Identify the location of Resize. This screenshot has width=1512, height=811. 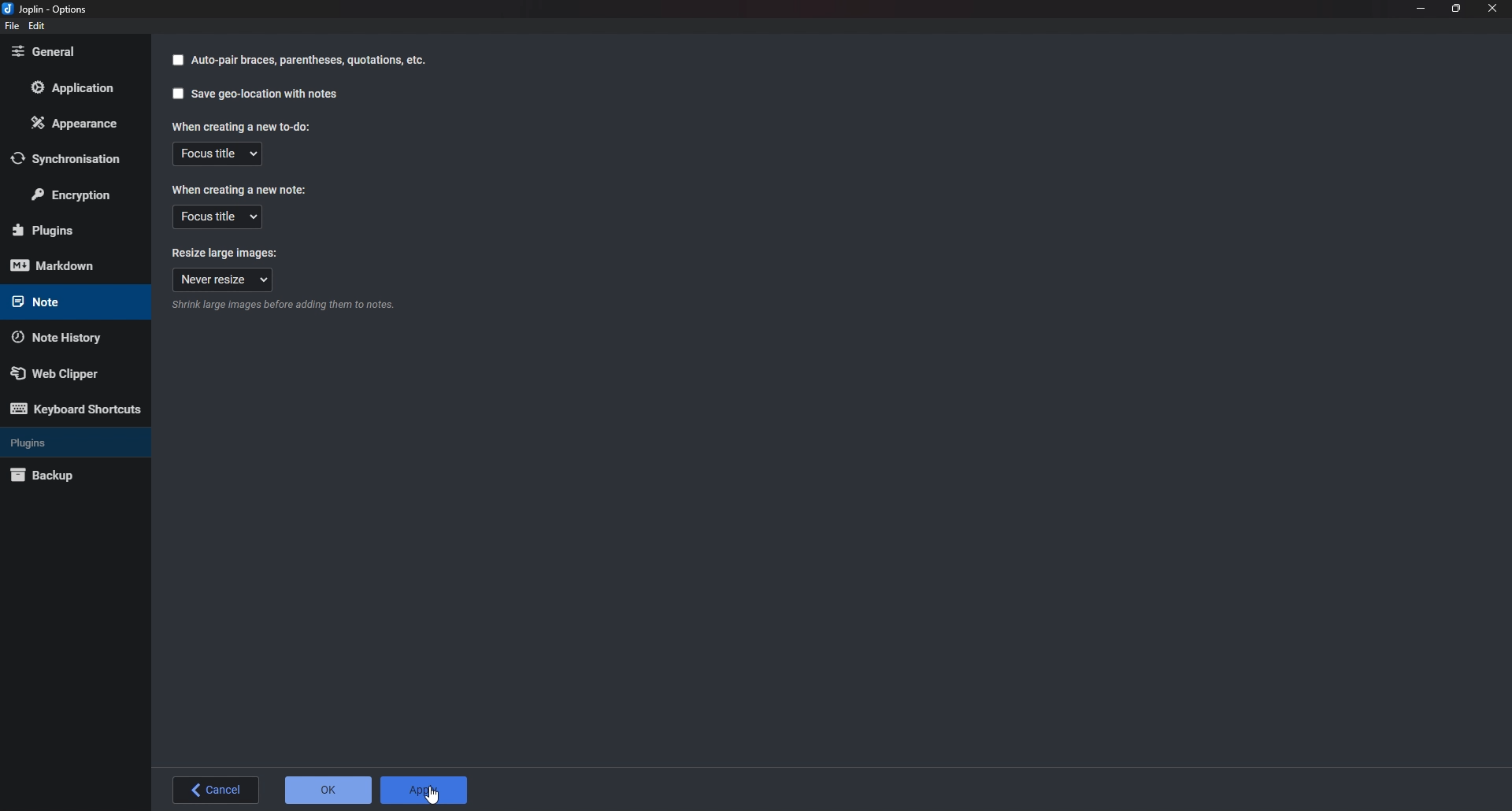
(1456, 9).